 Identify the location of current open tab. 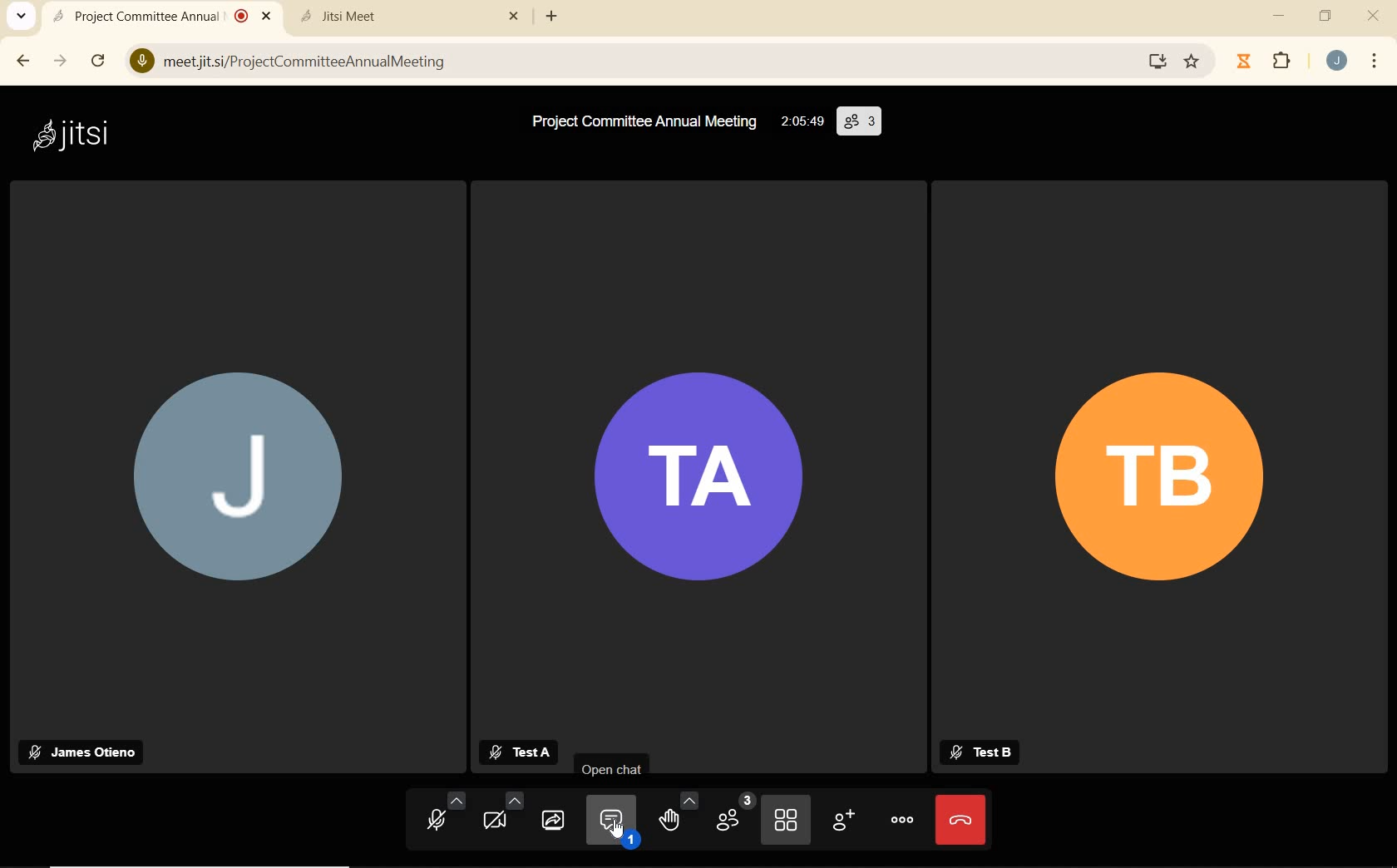
(148, 16).